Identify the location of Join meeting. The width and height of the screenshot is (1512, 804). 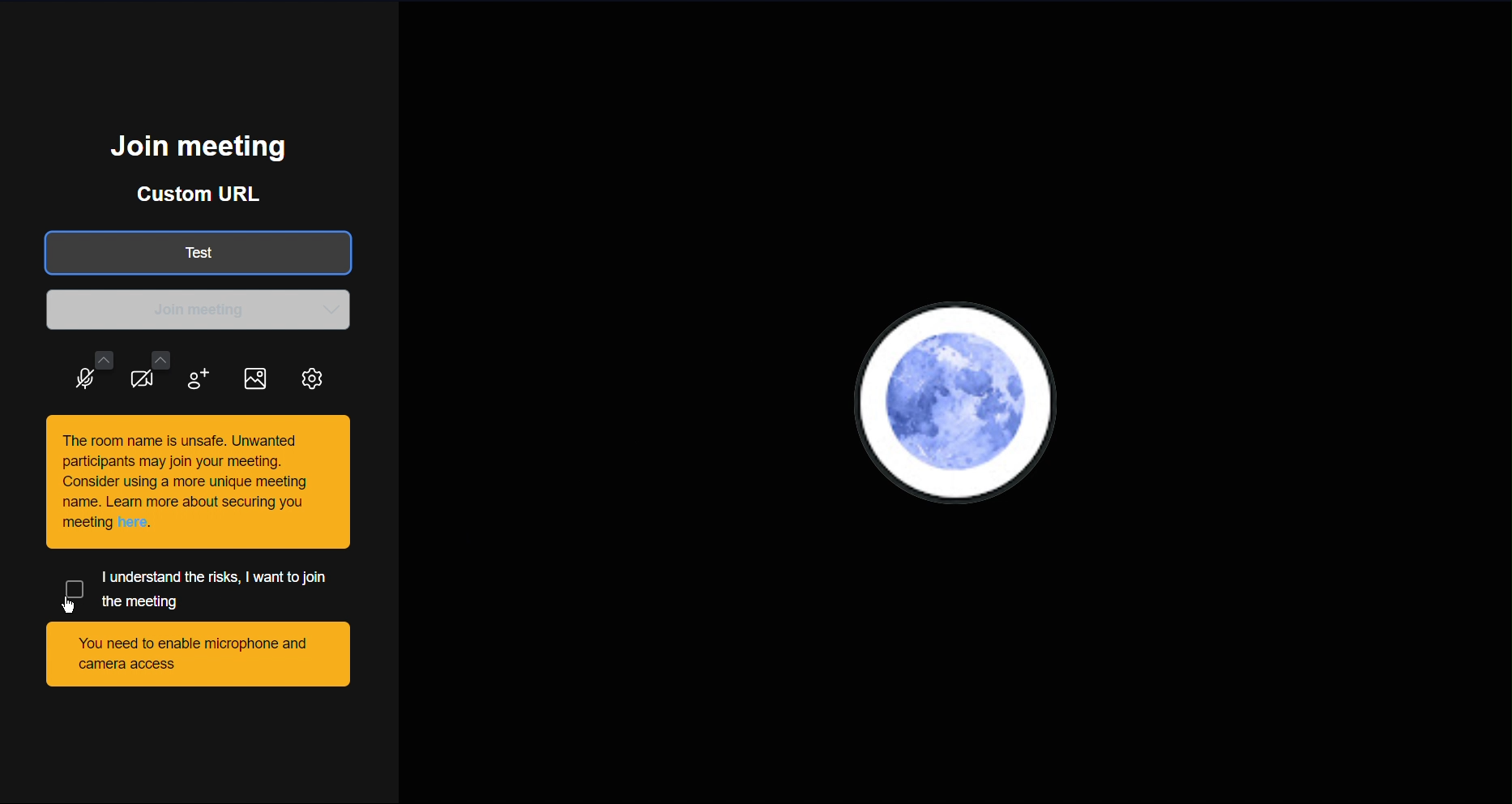
(201, 310).